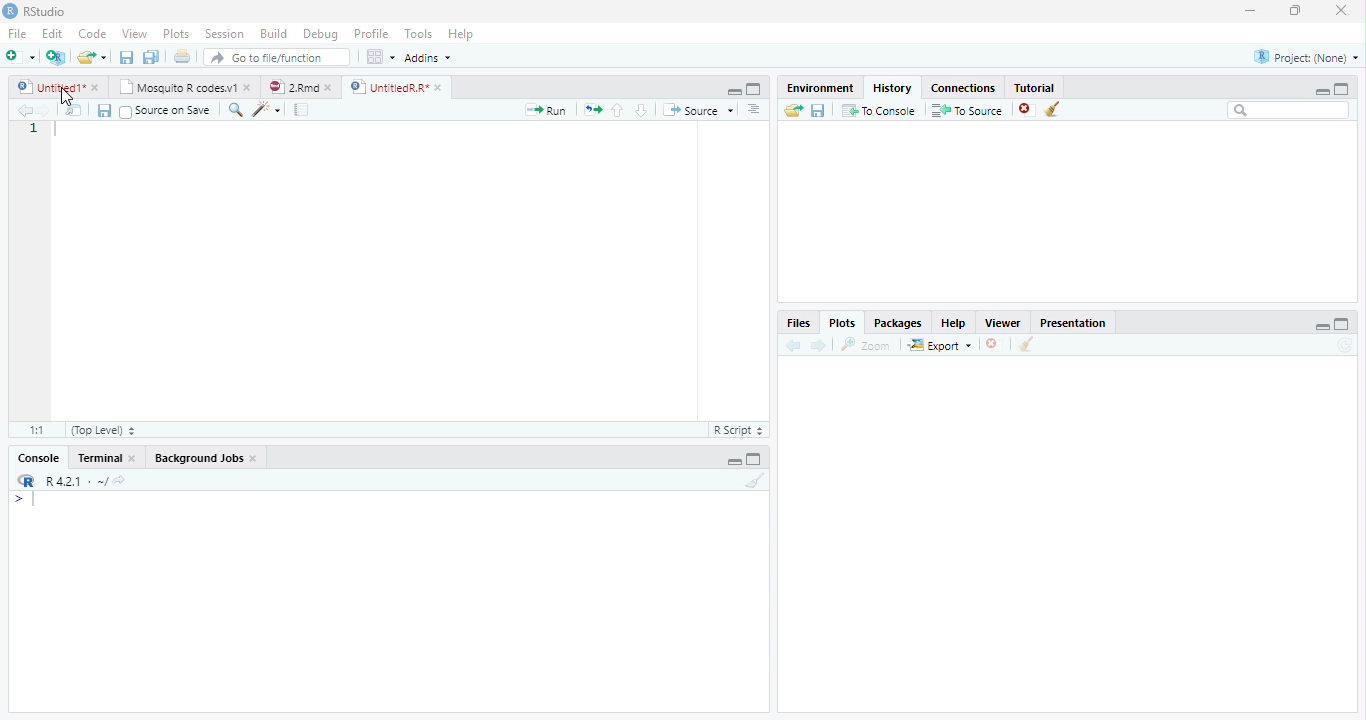 This screenshot has height=720, width=1366. I want to click on Plots, so click(843, 322).